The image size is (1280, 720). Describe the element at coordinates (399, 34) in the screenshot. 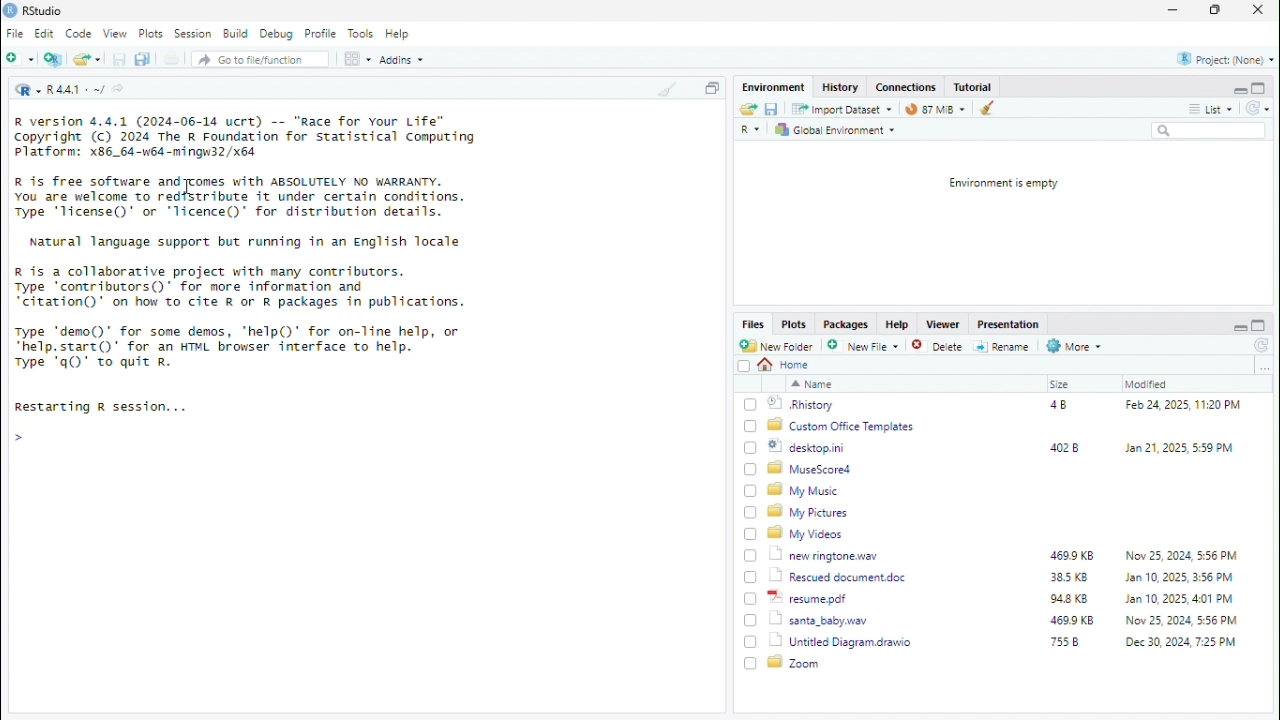

I see `Help` at that location.